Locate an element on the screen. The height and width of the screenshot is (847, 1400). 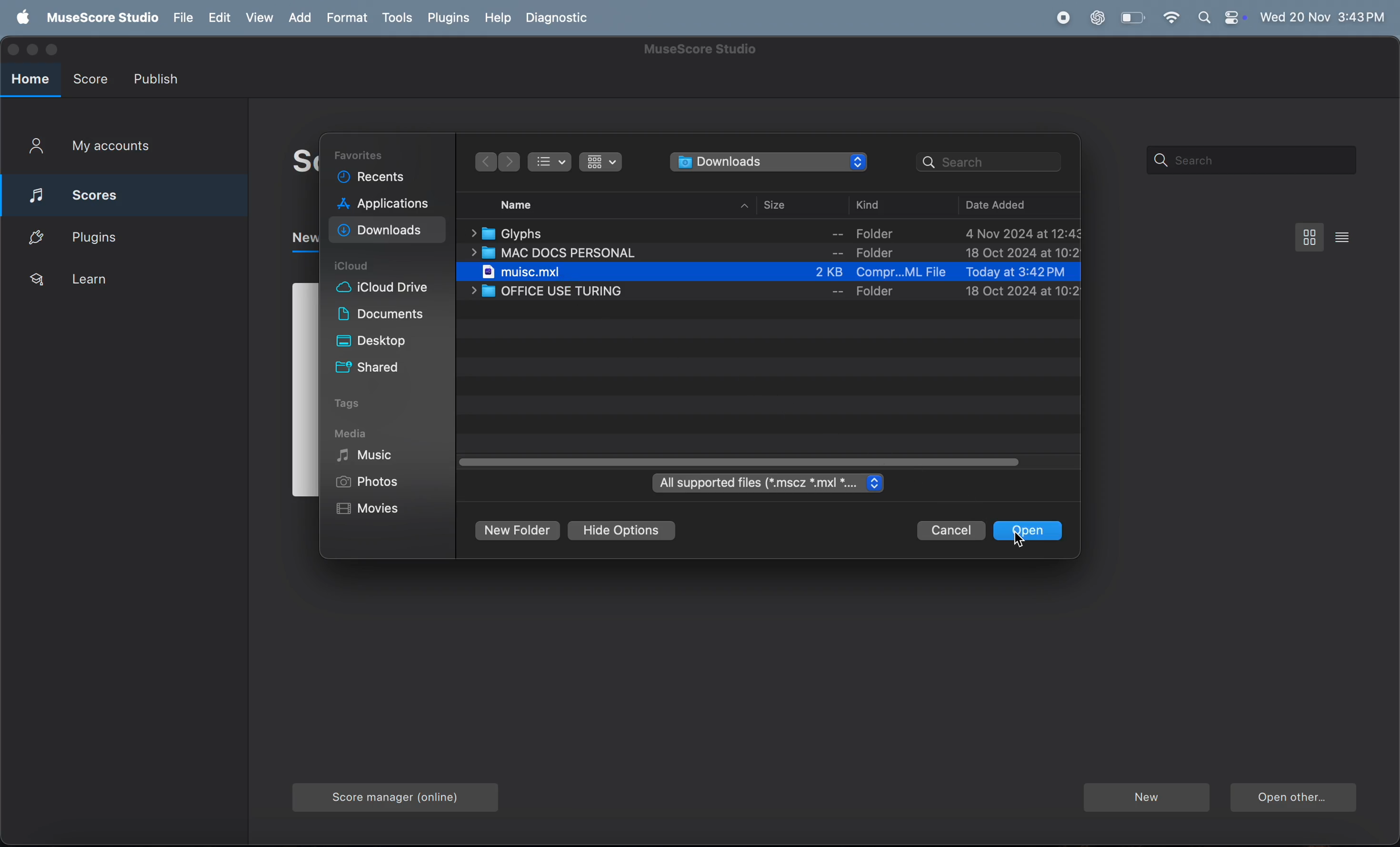
new folder is located at coordinates (516, 532).